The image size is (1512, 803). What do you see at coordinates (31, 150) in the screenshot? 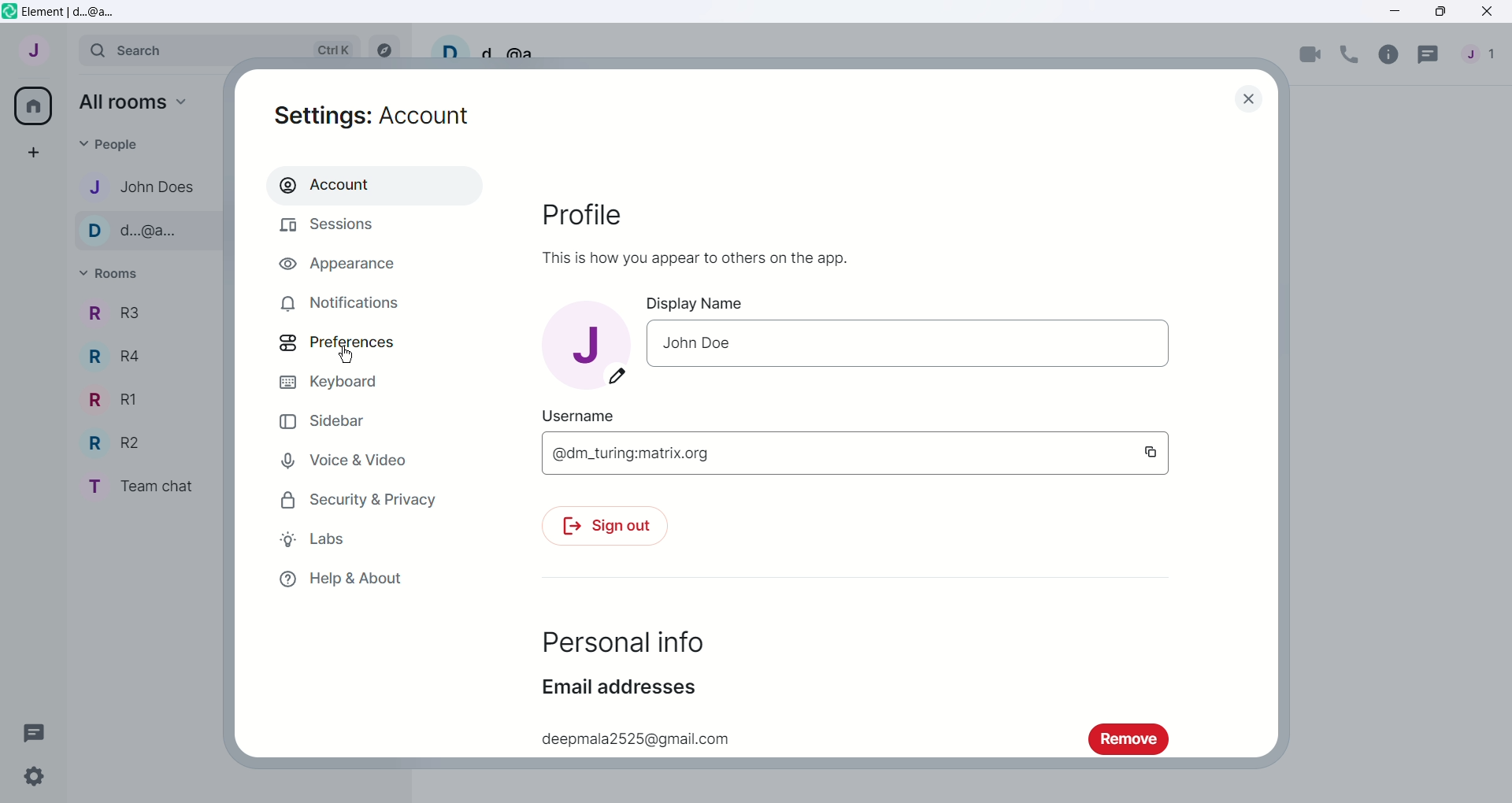
I see `Create a space` at bounding box center [31, 150].